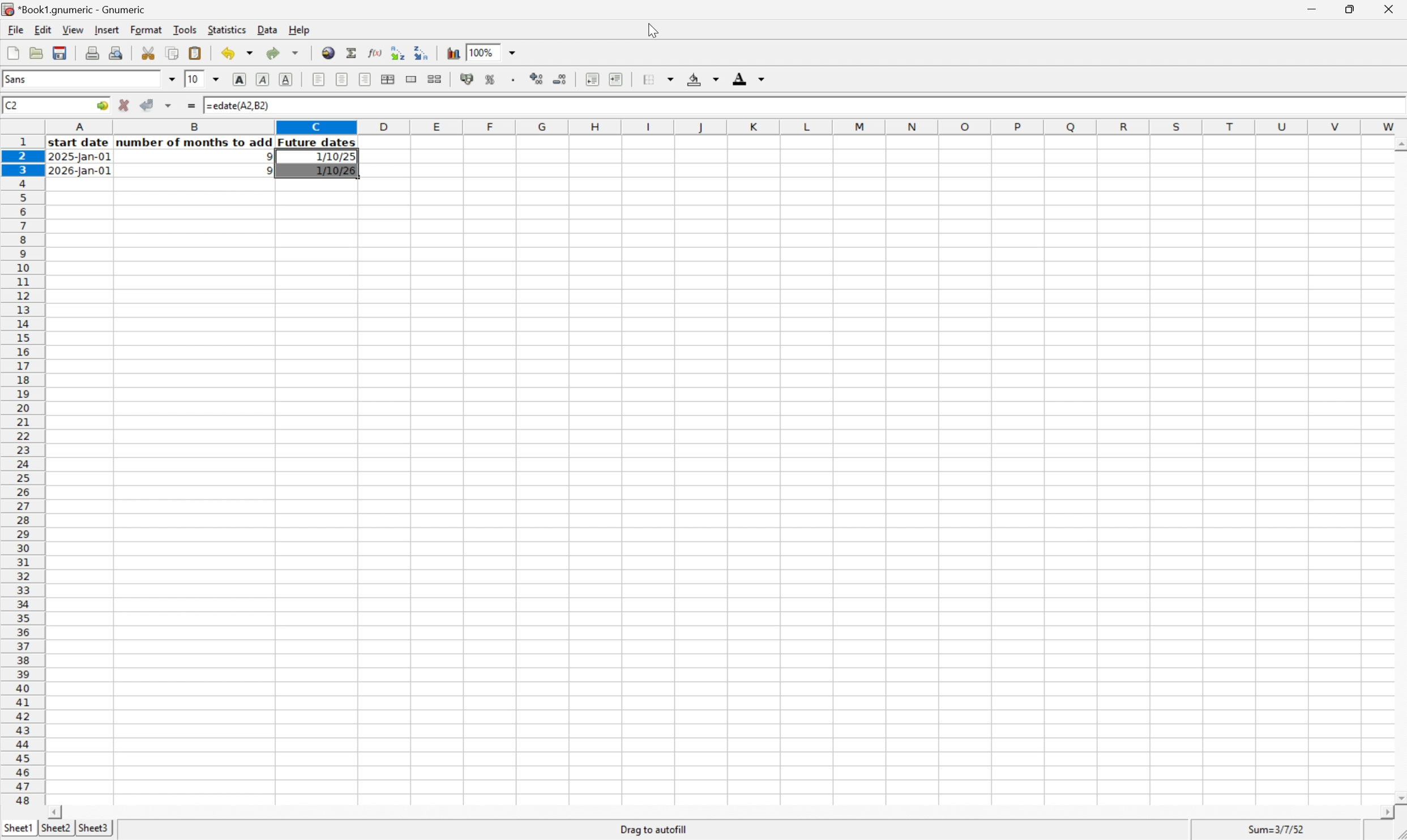 The image size is (1407, 840). What do you see at coordinates (238, 106) in the screenshot?
I see `=edate(A2, B2)` at bounding box center [238, 106].